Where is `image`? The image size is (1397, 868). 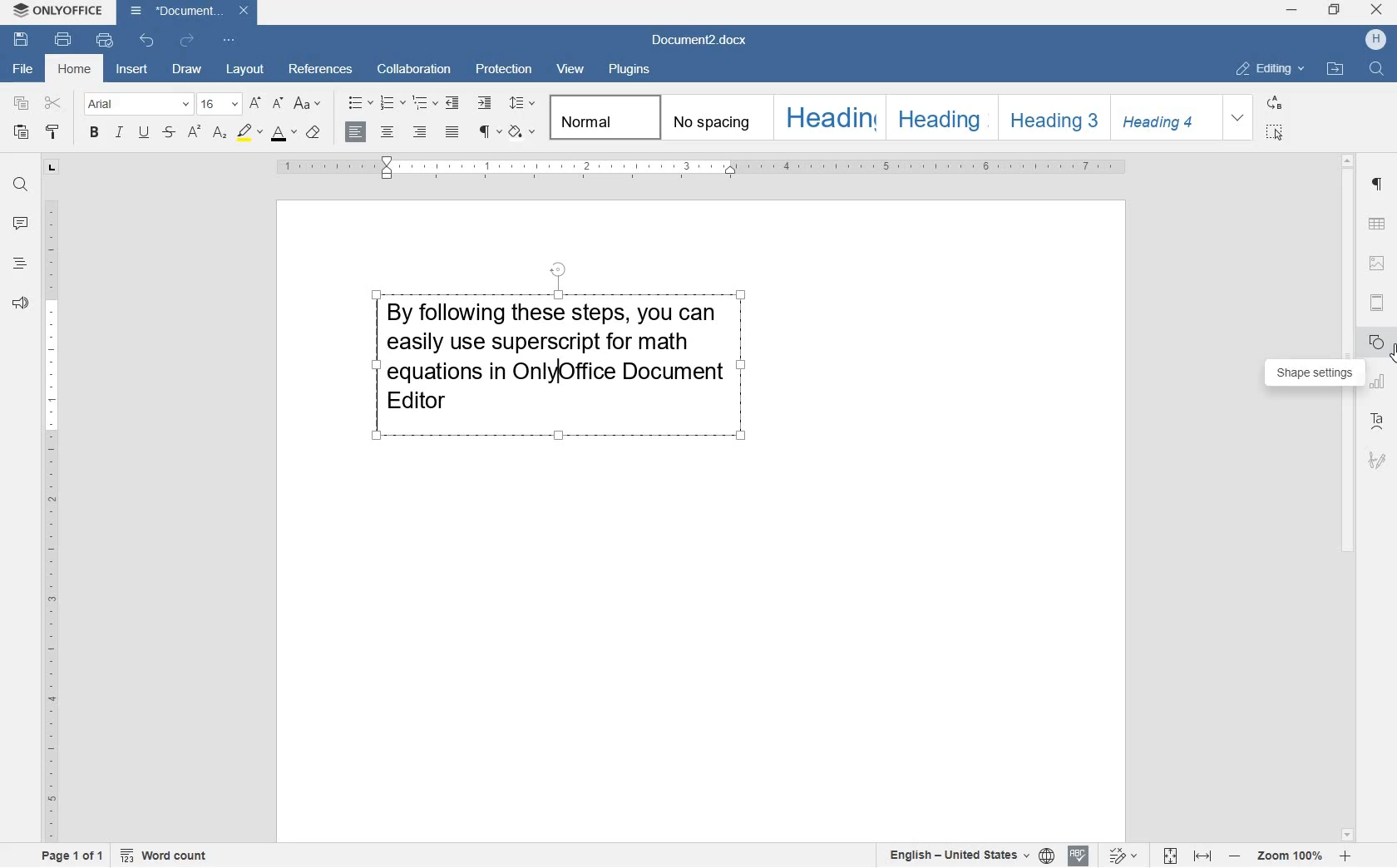 image is located at coordinates (1379, 265).